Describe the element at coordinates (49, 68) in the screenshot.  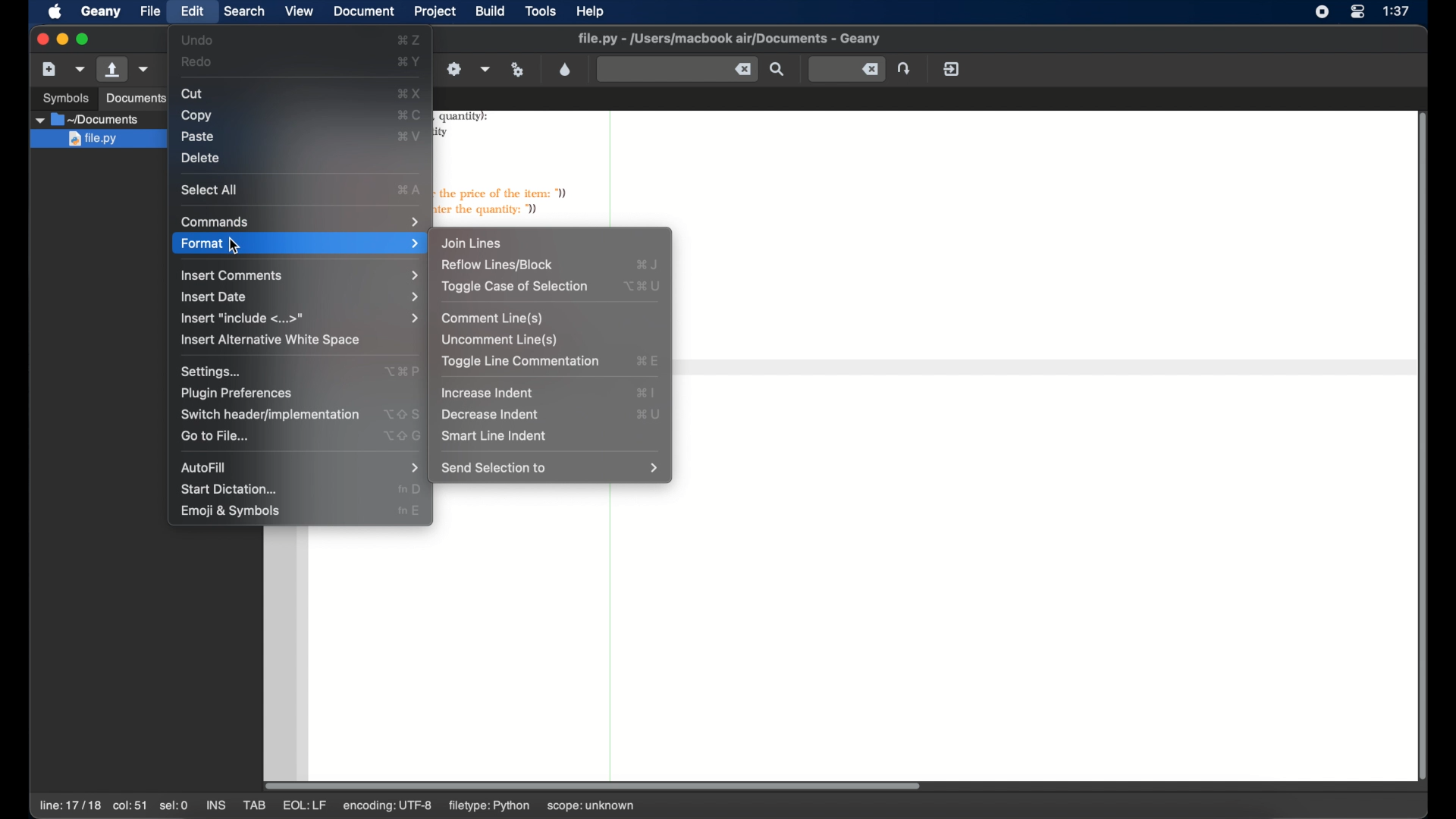
I see `new file` at that location.